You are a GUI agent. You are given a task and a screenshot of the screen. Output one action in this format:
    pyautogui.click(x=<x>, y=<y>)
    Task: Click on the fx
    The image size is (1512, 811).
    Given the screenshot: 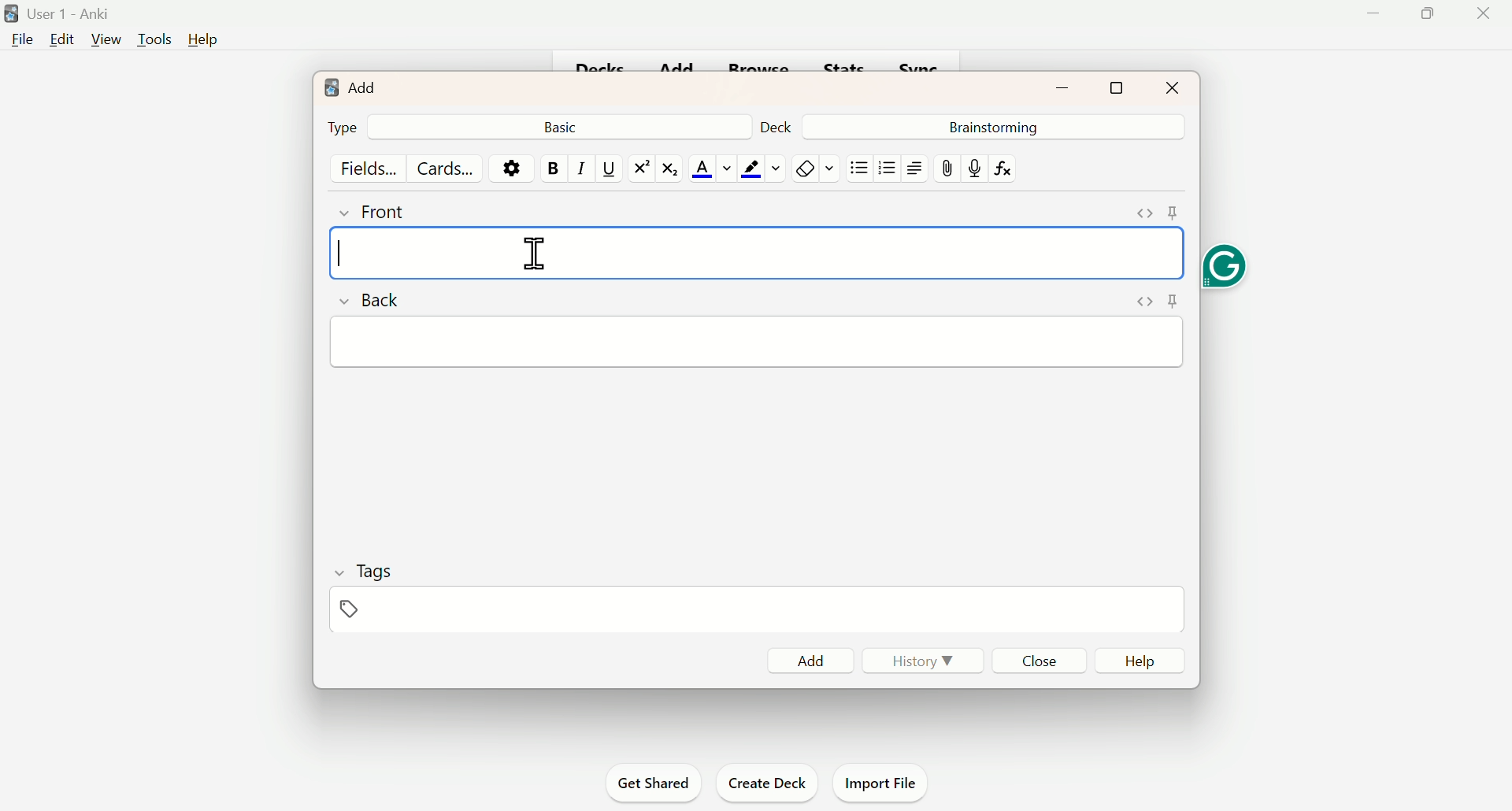 What is the action you would take?
    pyautogui.click(x=1009, y=168)
    